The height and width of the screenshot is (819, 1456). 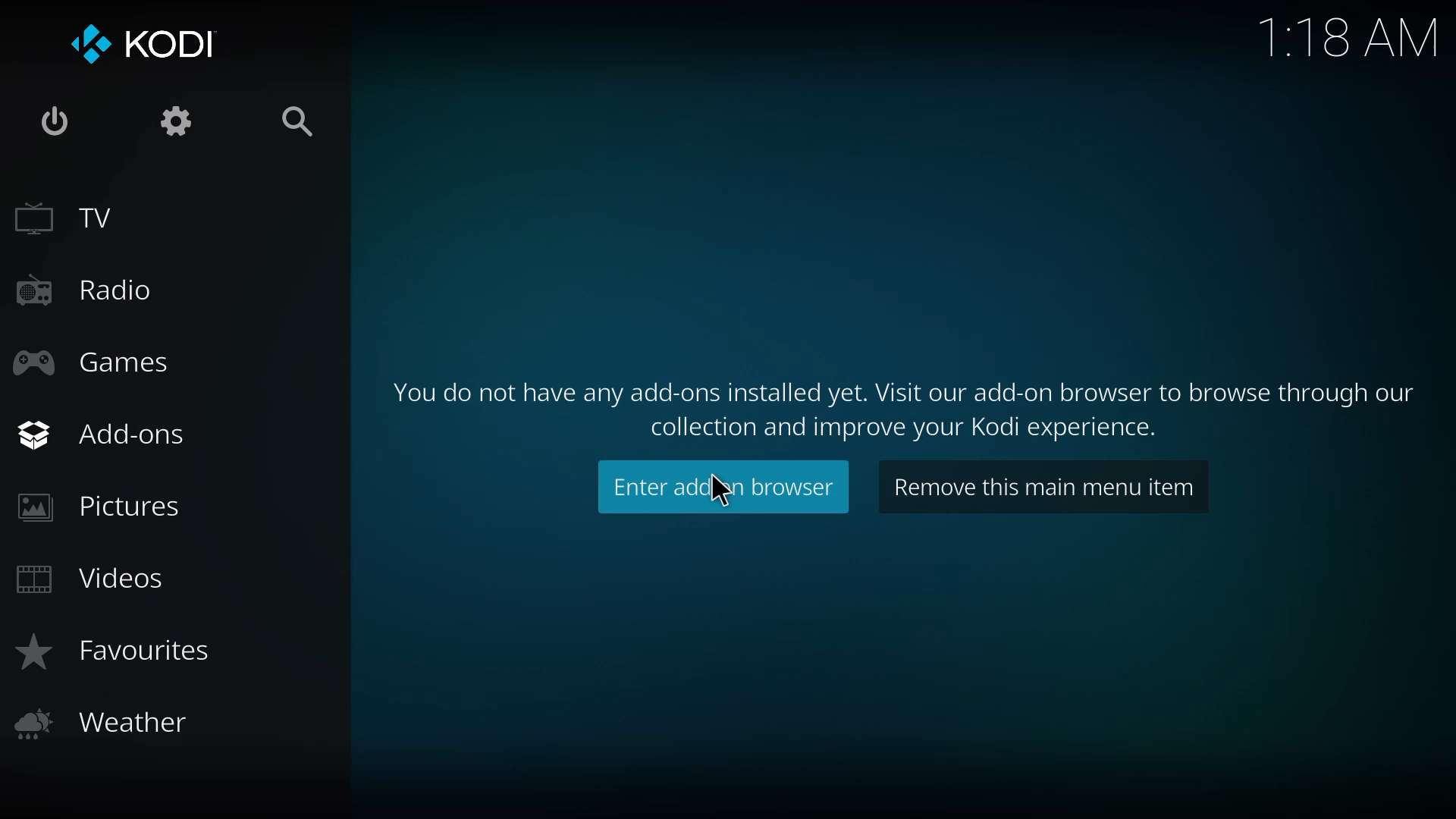 I want to click on search, so click(x=296, y=123).